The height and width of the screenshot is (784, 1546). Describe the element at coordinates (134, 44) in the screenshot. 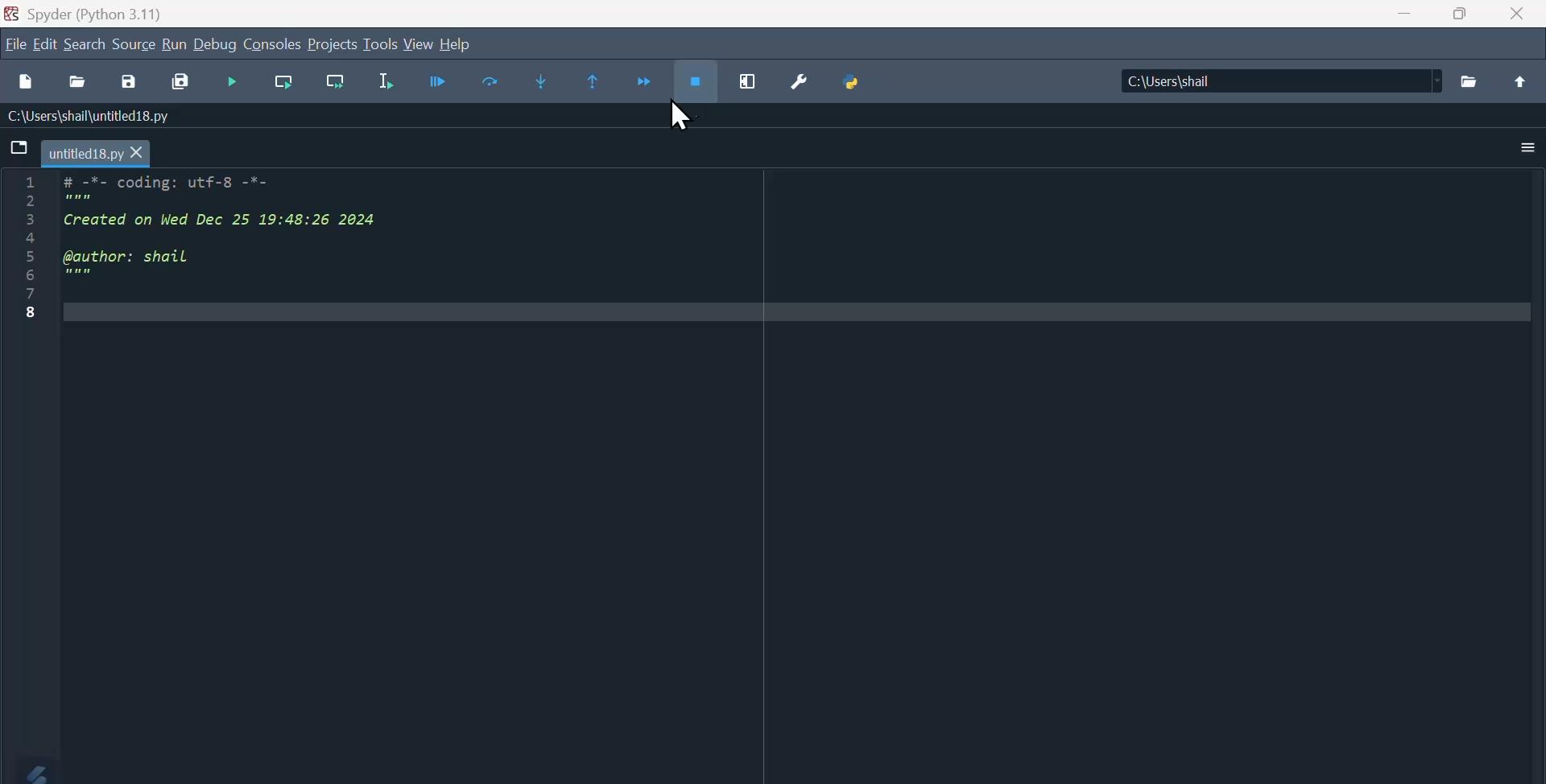

I see `Source` at that location.